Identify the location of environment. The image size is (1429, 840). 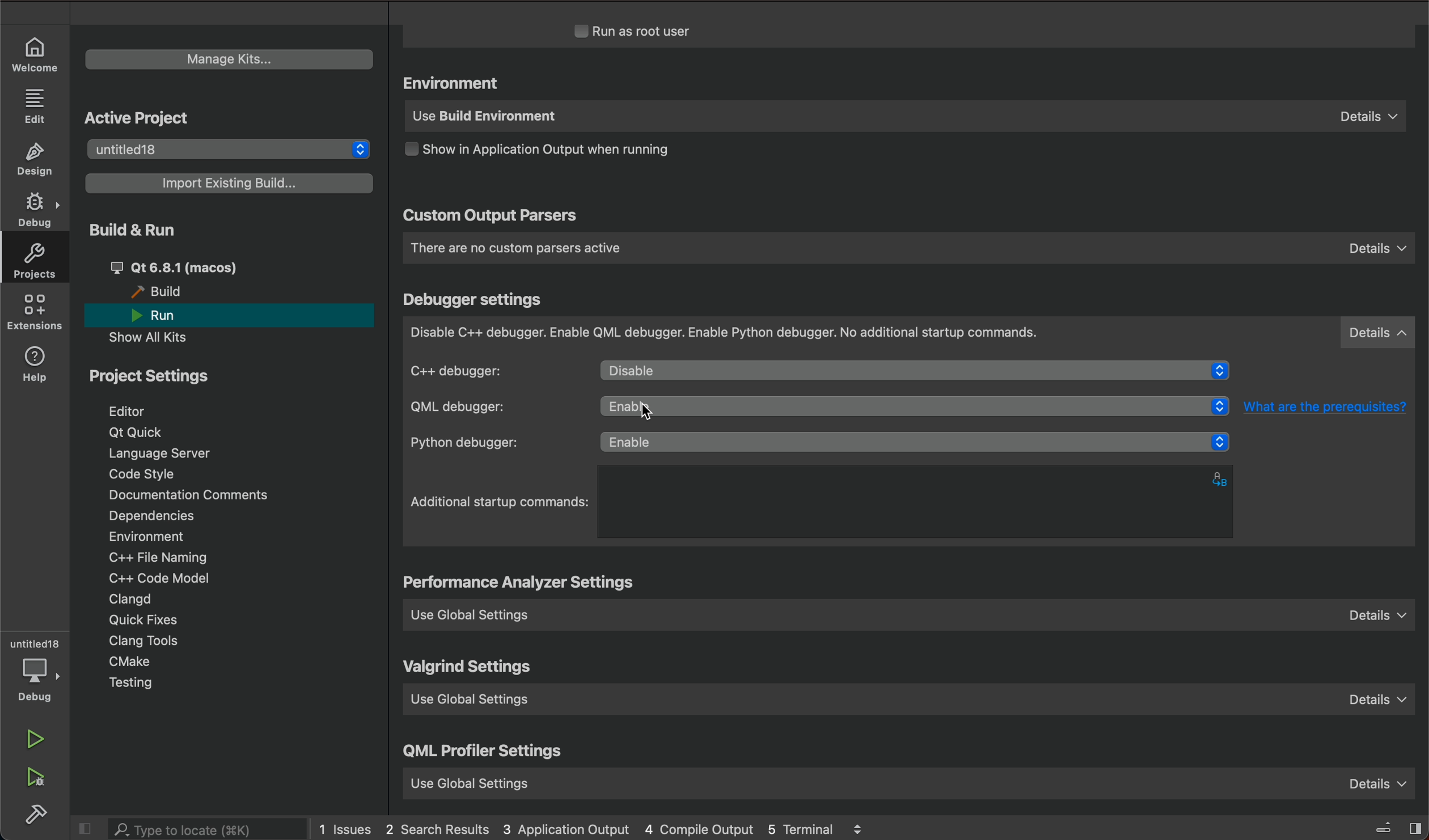
(146, 536).